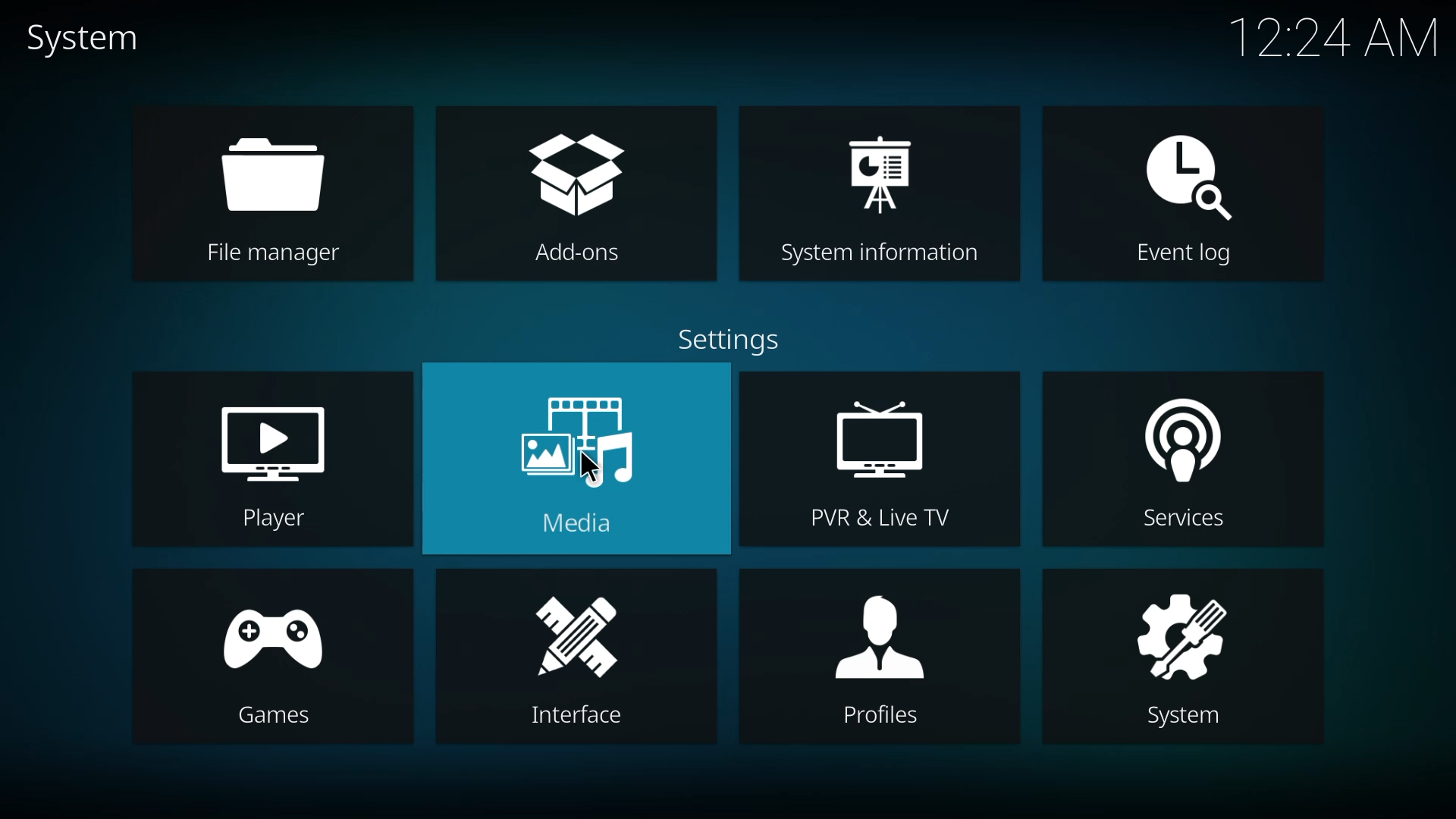  I want to click on event log, so click(1181, 199).